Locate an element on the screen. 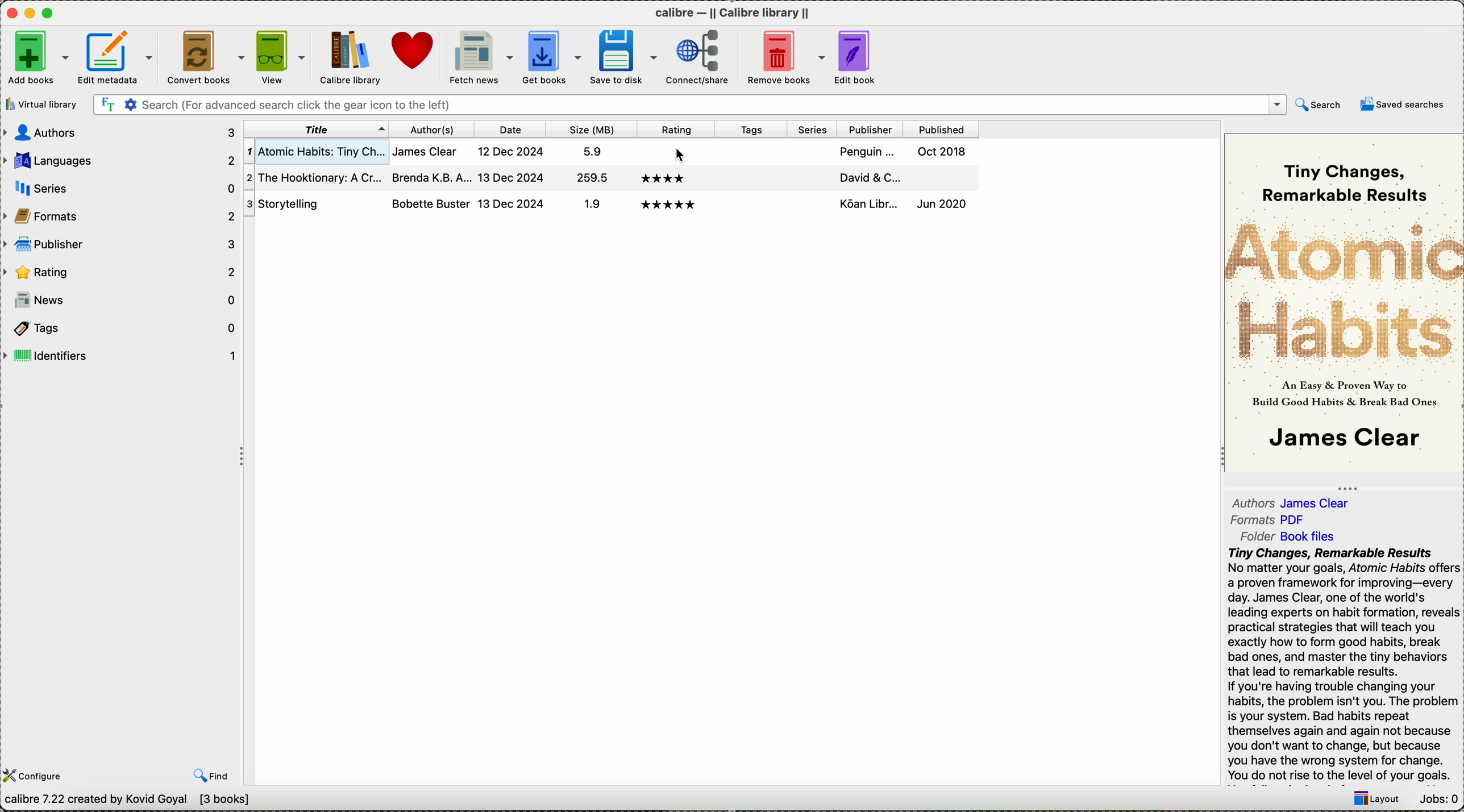 The width and height of the screenshot is (1464, 812). get books is located at coordinates (552, 57).